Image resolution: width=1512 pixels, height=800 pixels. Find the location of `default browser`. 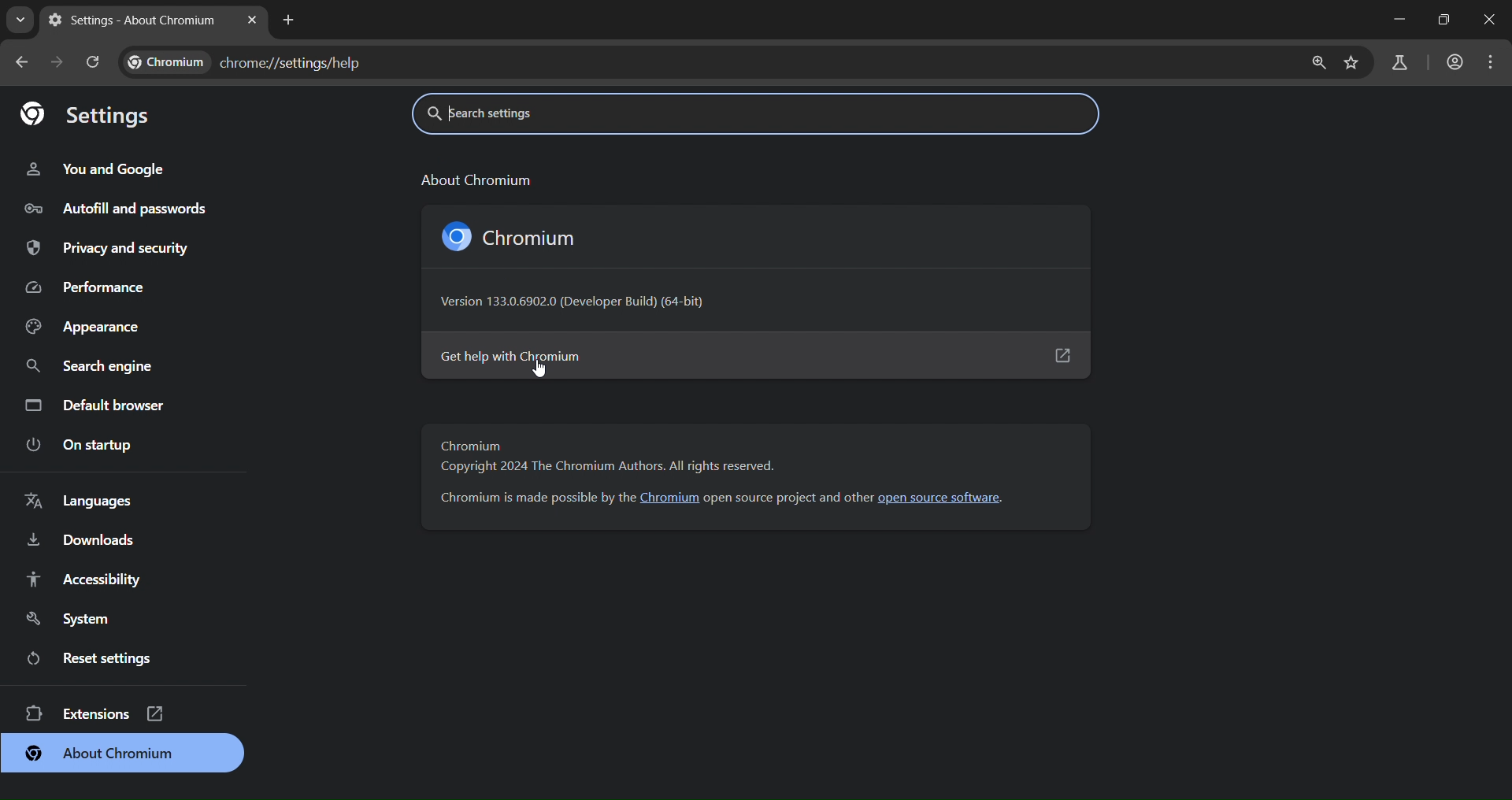

default browser is located at coordinates (99, 404).